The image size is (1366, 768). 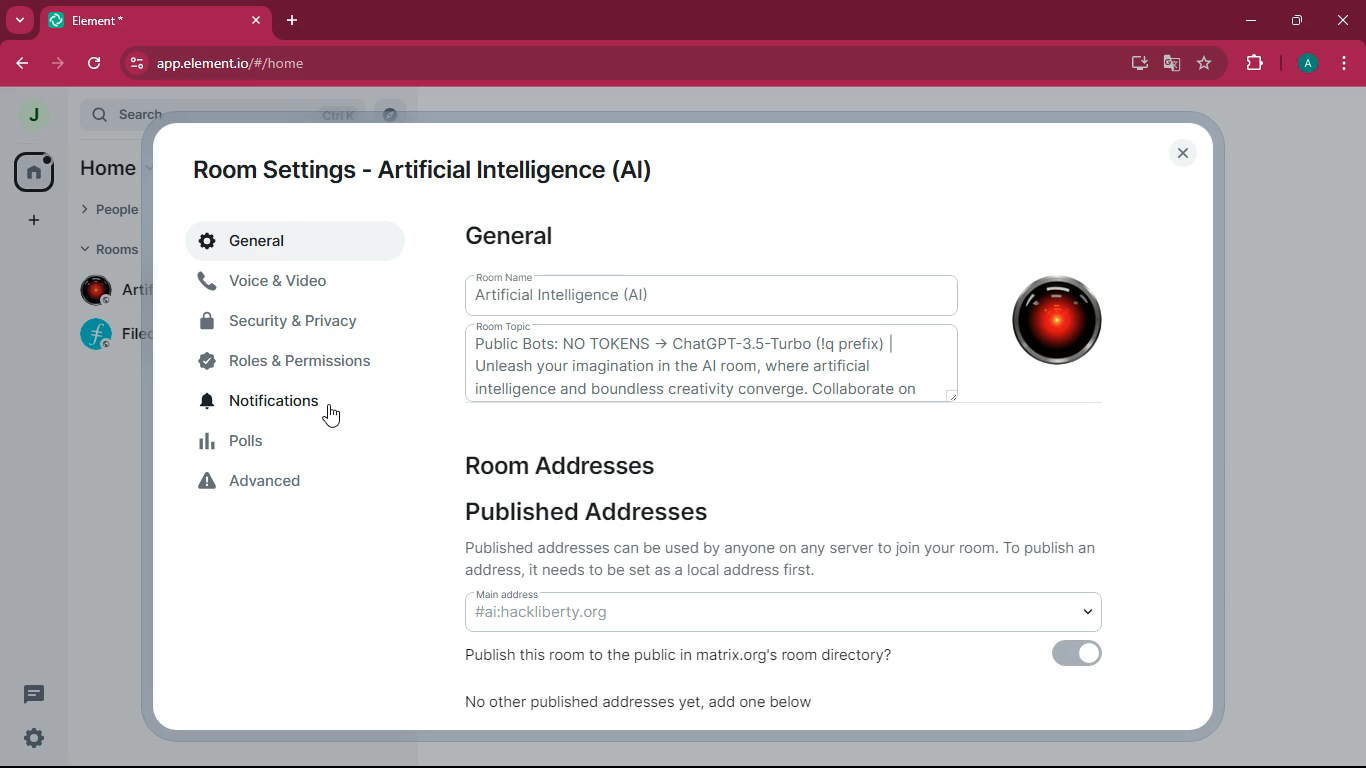 I want to click on extensions, so click(x=1255, y=63).